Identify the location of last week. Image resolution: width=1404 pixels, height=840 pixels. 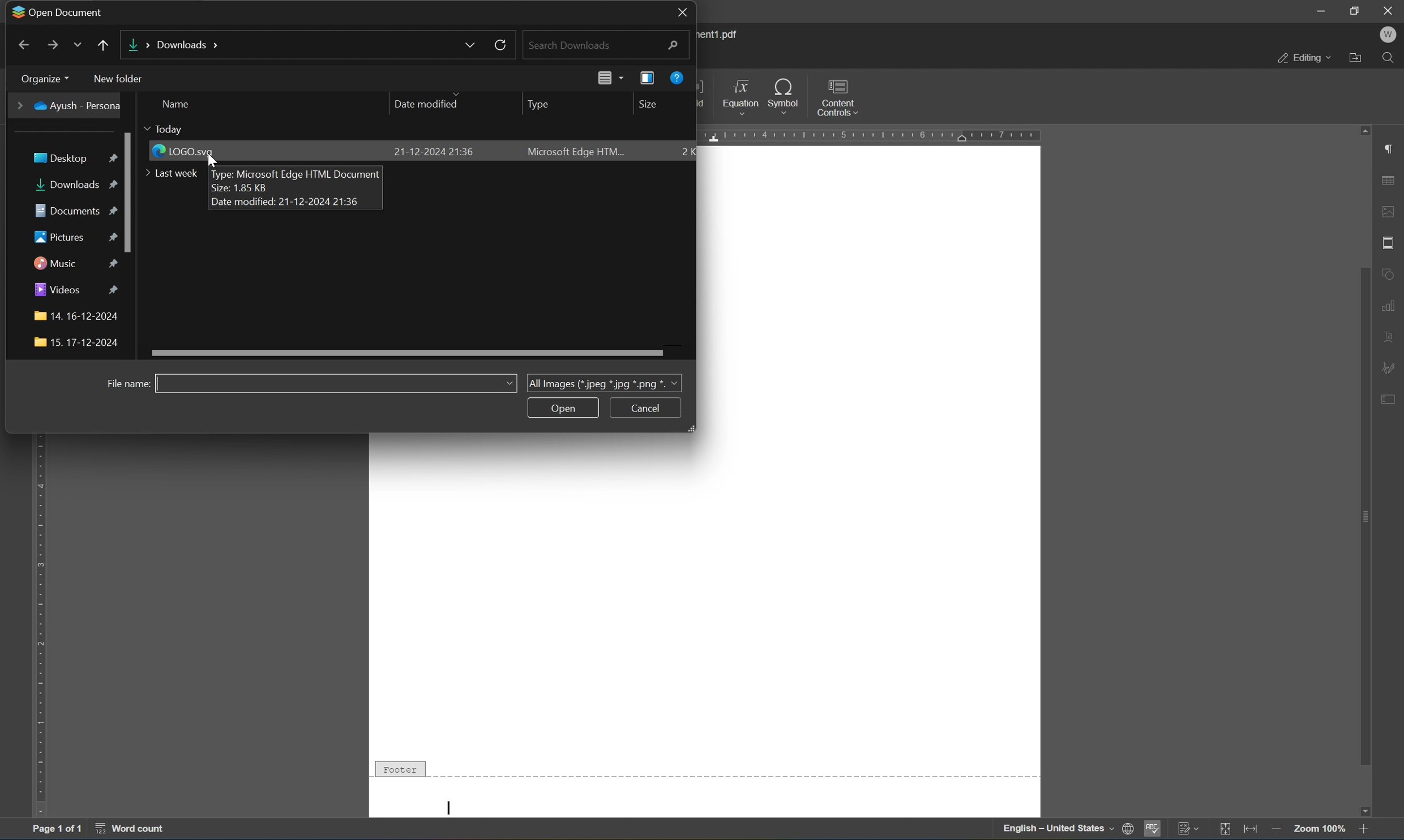
(174, 173).